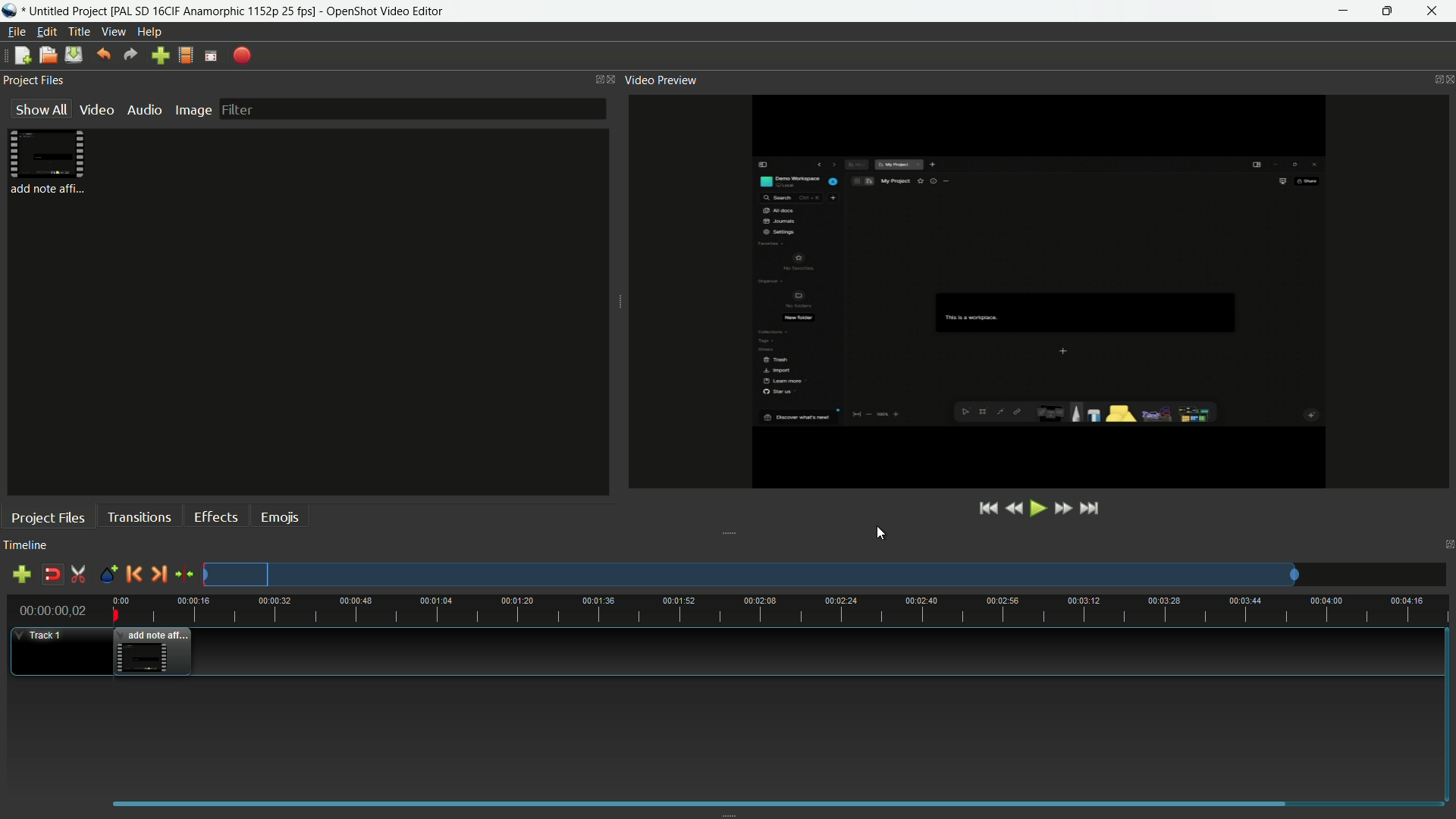  What do you see at coordinates (111, 32) in the screenshot?
I see `view menu` at bounding box center [111, 32].